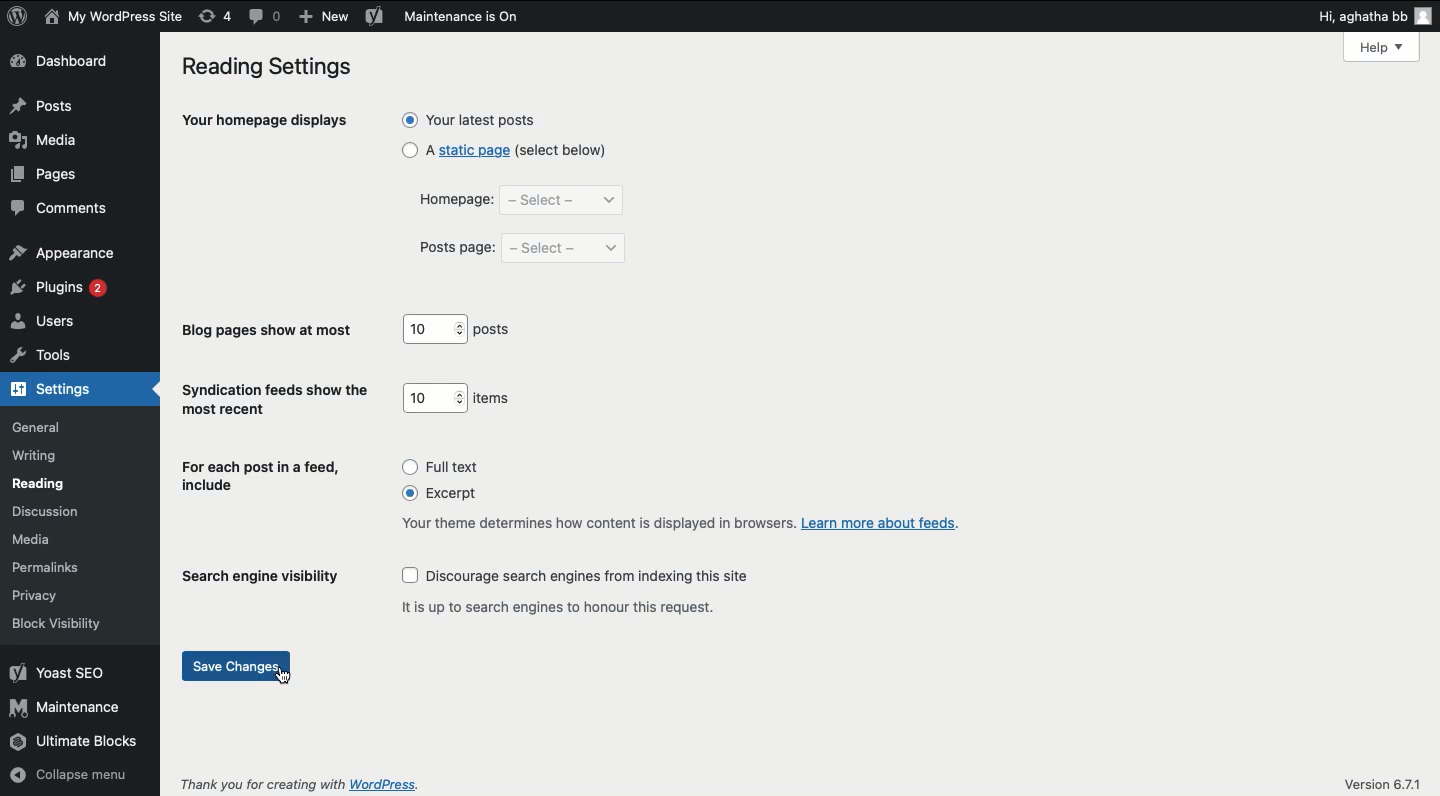 The height and width of the screenshot is (796, 1440). Describe the element at coordinates (492, 328) in the screenshot. I see `posts` at that location.